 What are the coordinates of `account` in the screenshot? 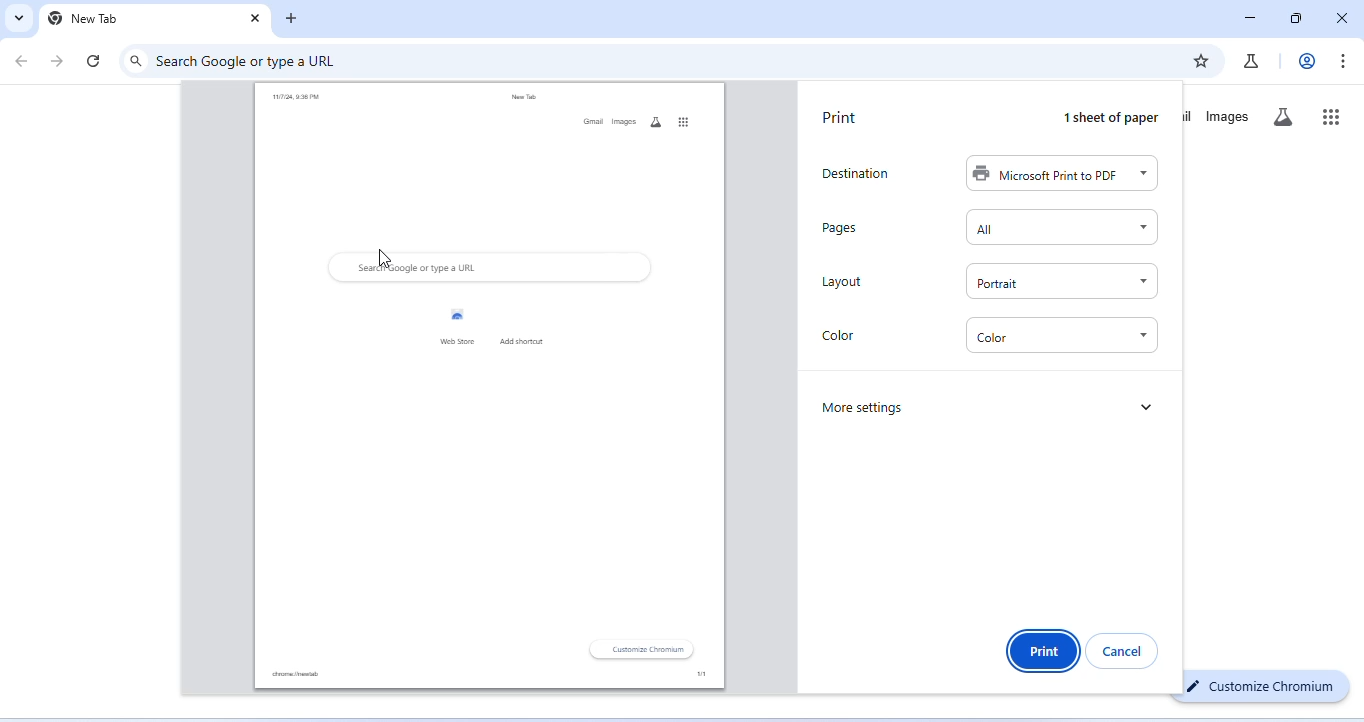 It's located at (1304, 61).